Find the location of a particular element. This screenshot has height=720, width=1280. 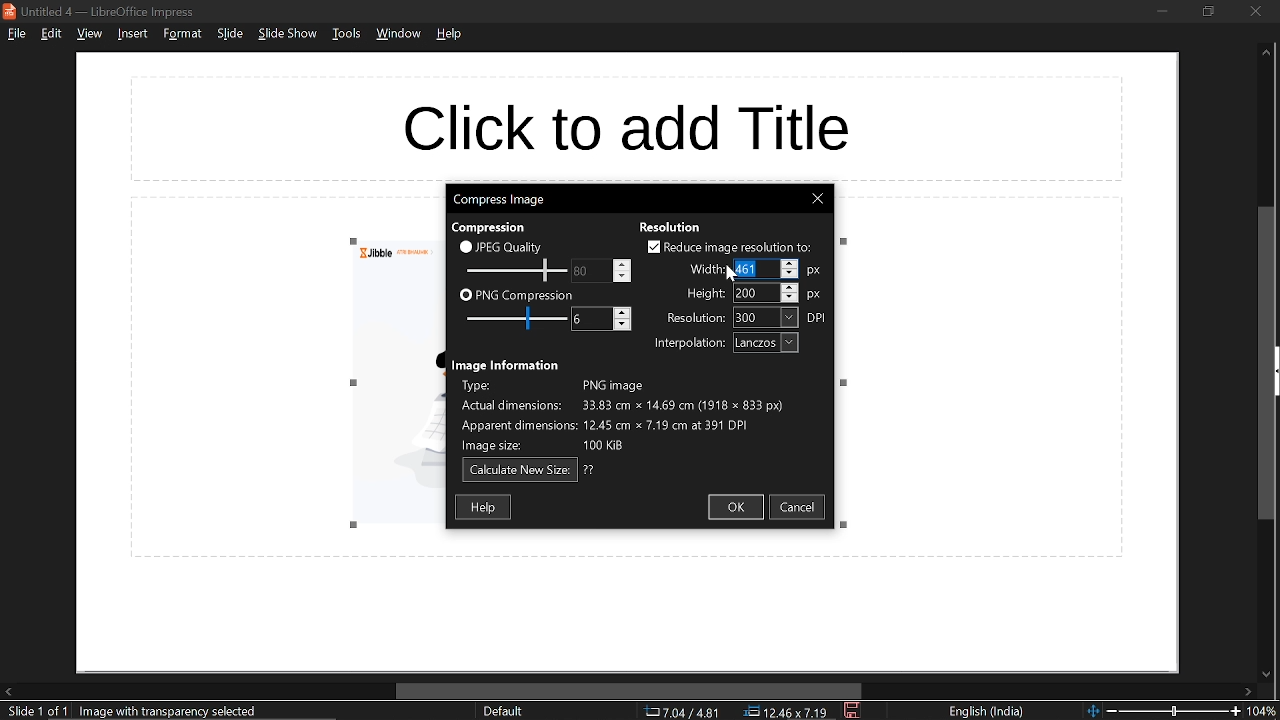

window is located at coordinates (397, 36).